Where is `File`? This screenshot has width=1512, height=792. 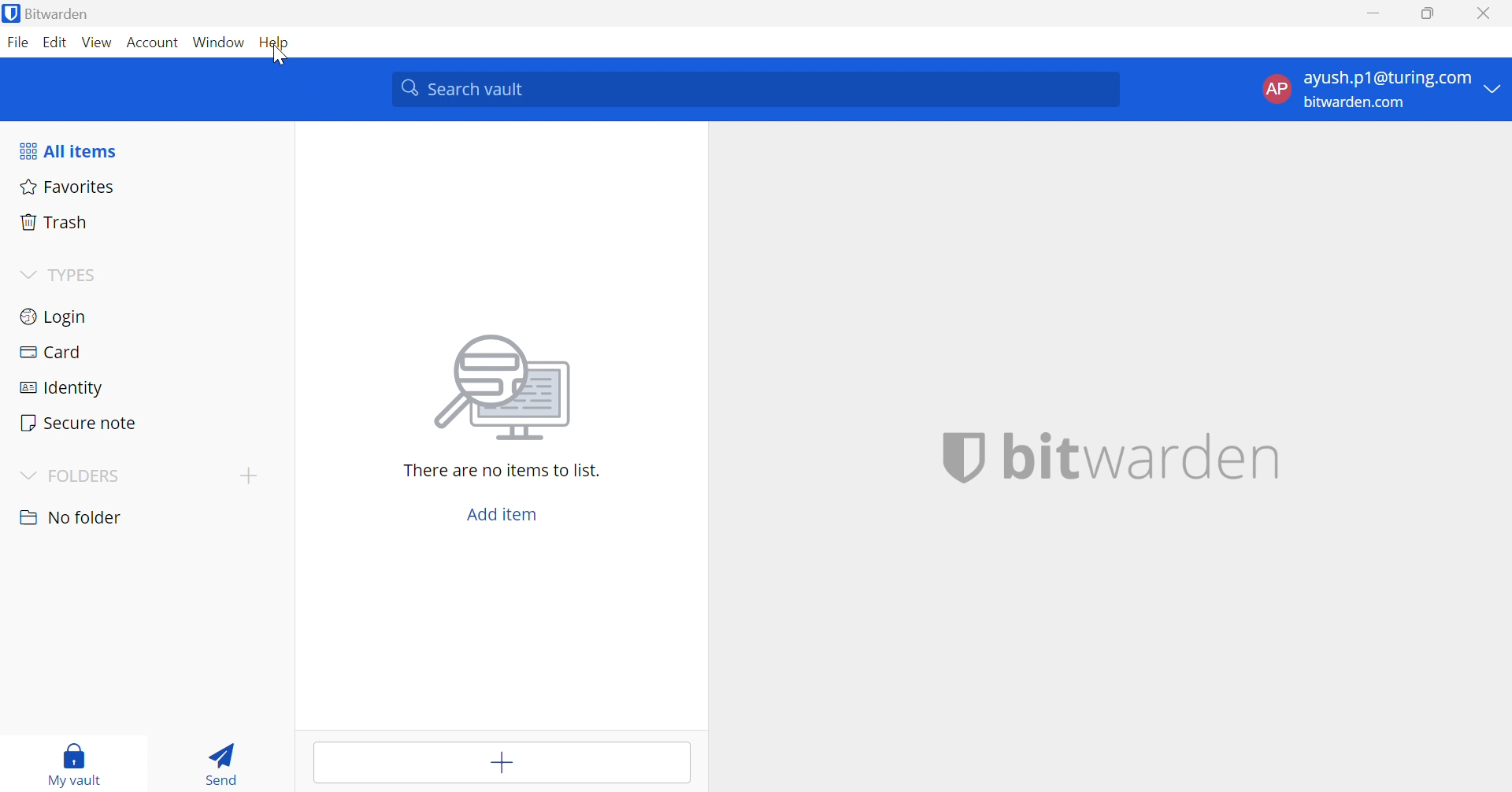 File is located at coordinates (20, 41).